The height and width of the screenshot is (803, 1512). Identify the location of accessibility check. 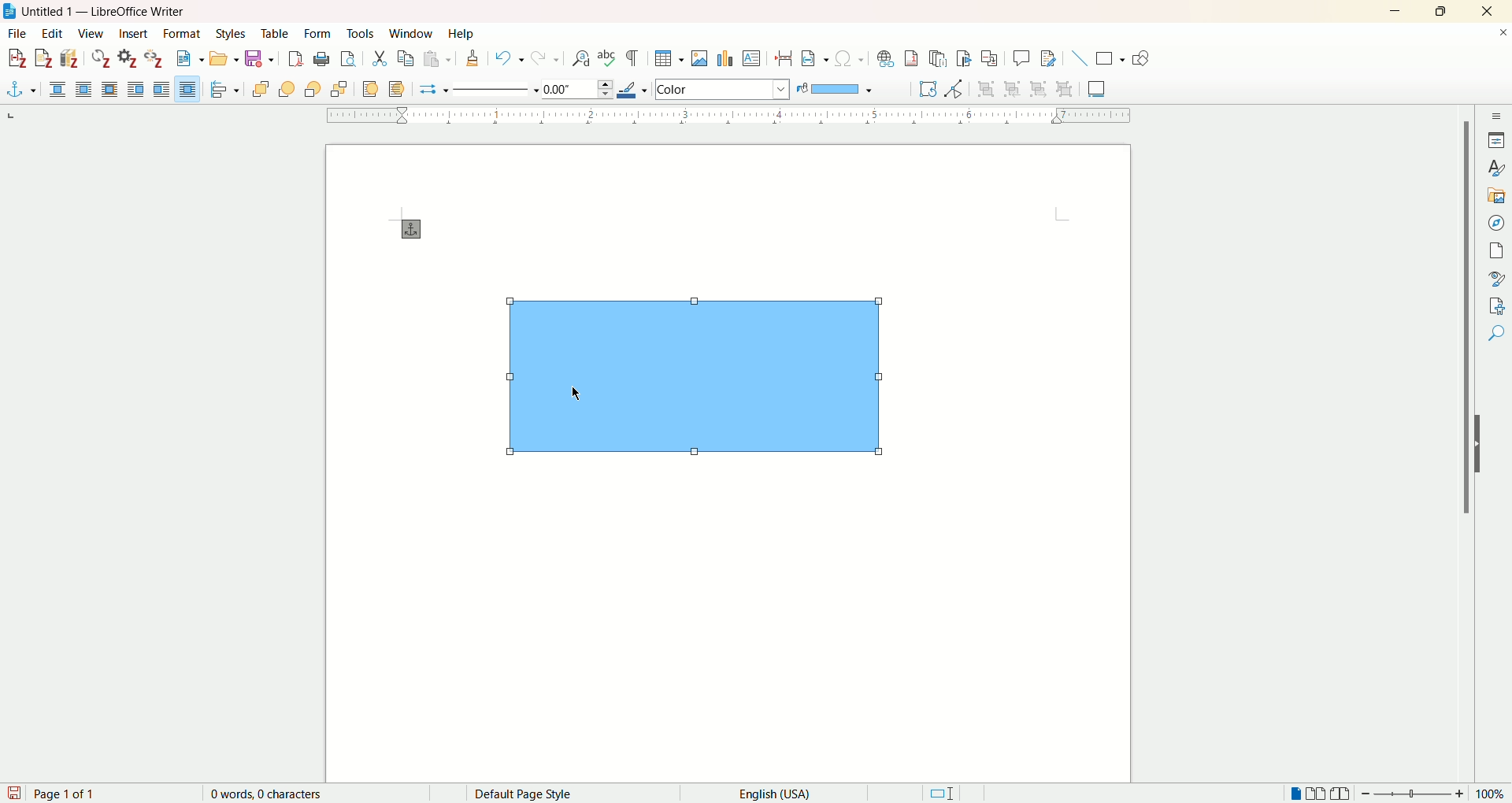
(1496, 331).